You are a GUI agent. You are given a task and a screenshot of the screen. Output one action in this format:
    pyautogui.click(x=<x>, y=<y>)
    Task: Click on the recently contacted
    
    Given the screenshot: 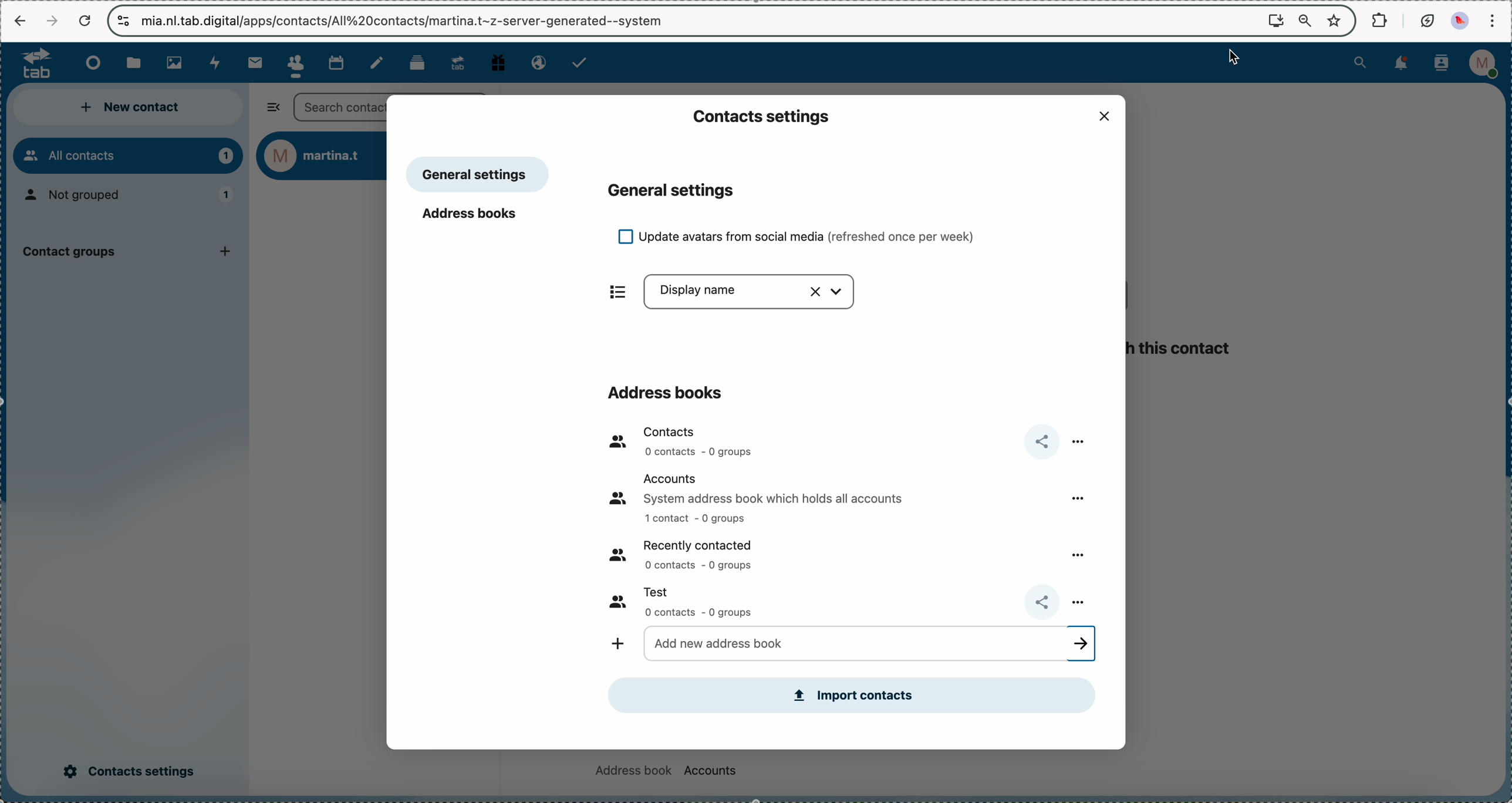 What is the action you would take?
    pyautogui.click(x=689, y=557)
    